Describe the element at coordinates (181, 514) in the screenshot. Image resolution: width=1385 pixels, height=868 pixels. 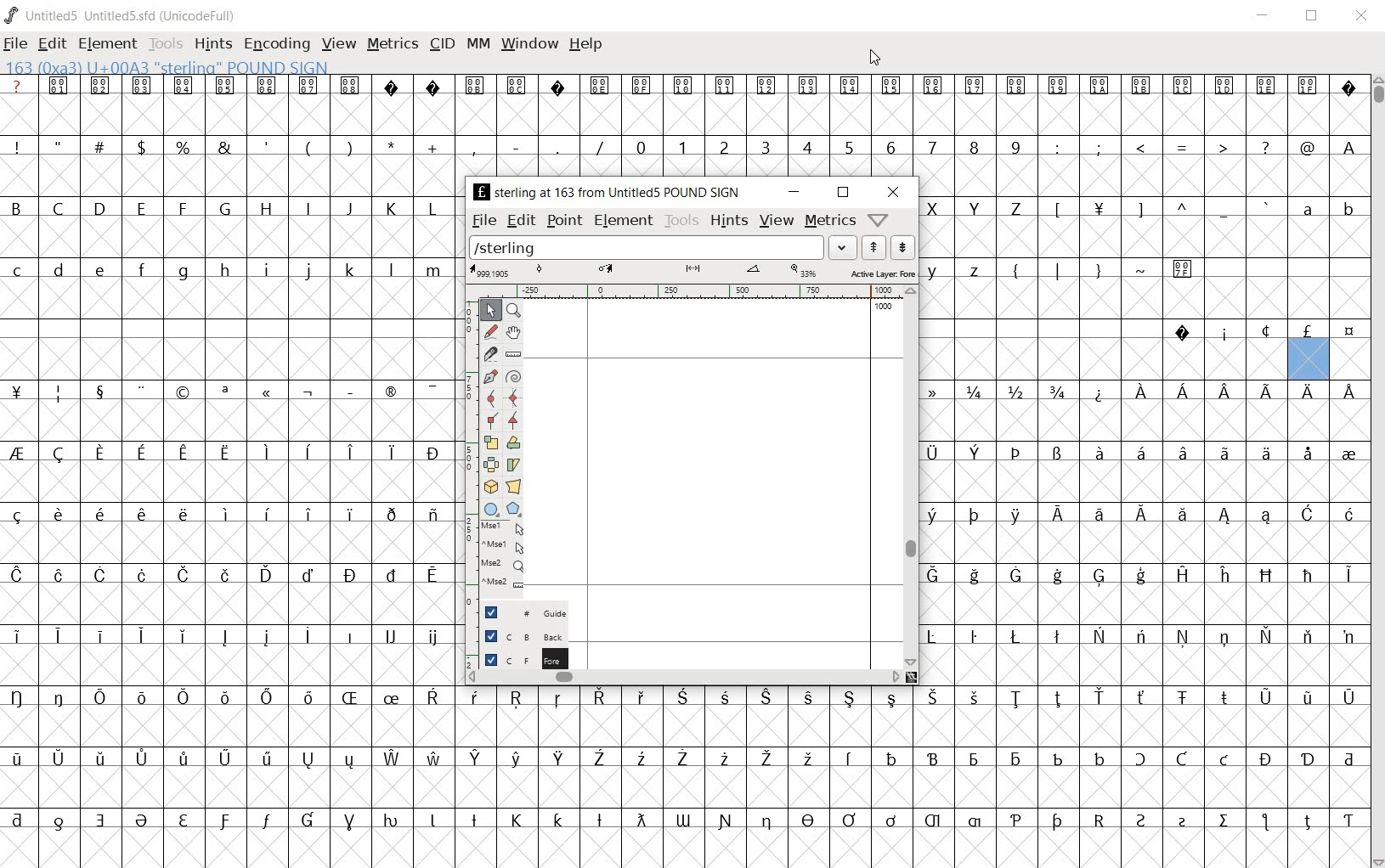
I see `` at that location.